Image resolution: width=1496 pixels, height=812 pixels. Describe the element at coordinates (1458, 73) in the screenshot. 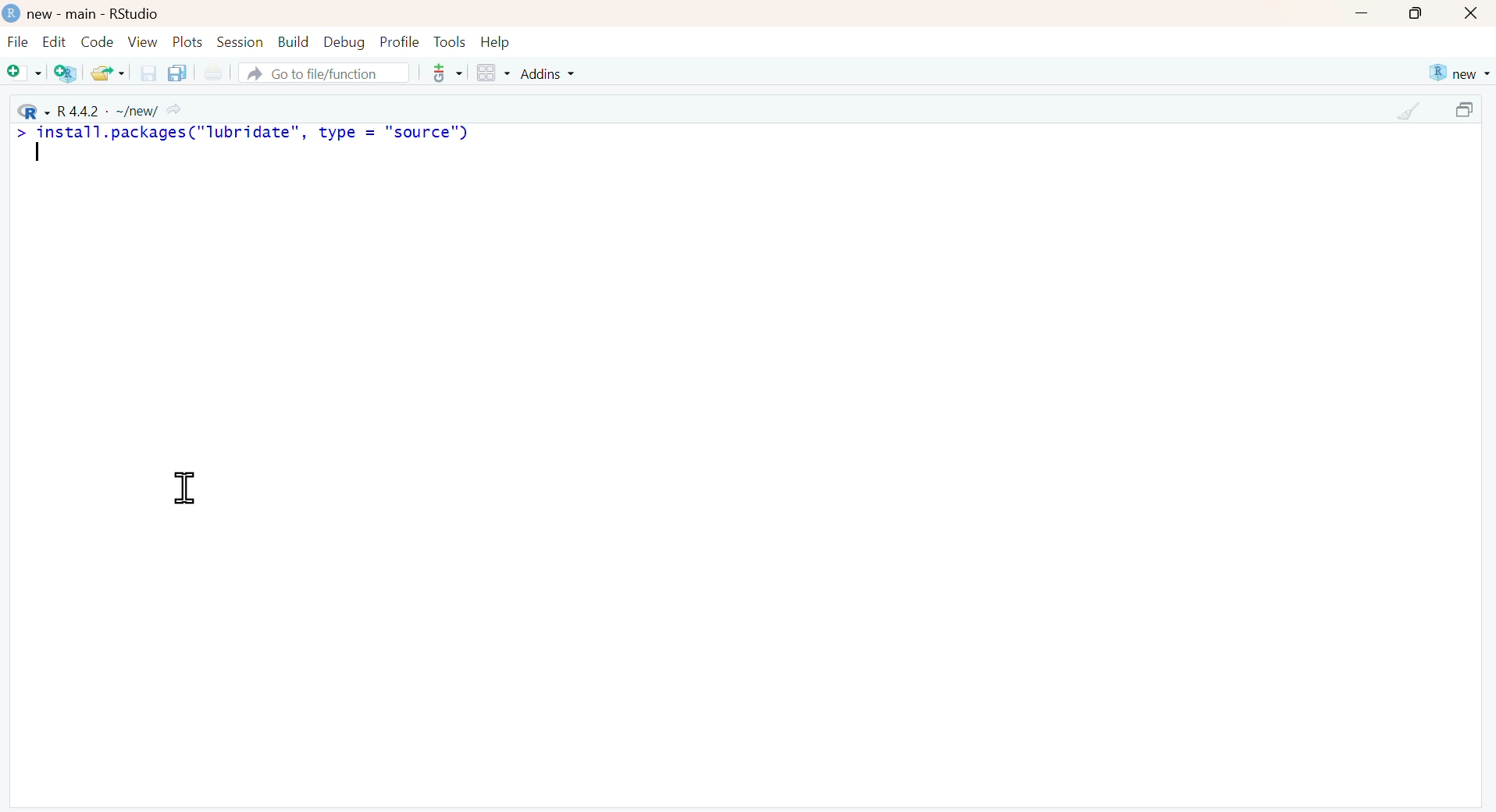

I see `new` at that location.